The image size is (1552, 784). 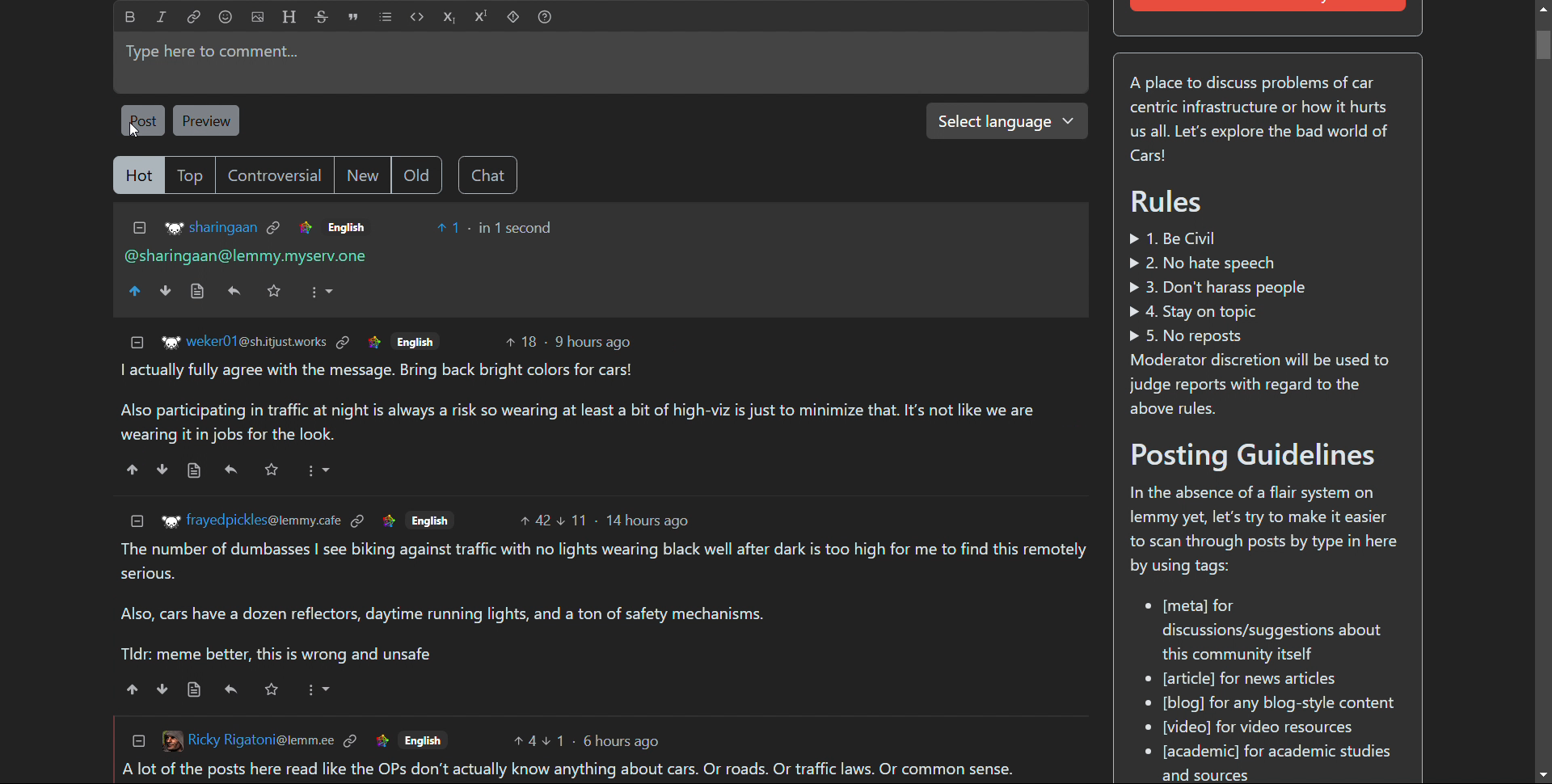 I want to click on downvote, so click(x=163, y=470).